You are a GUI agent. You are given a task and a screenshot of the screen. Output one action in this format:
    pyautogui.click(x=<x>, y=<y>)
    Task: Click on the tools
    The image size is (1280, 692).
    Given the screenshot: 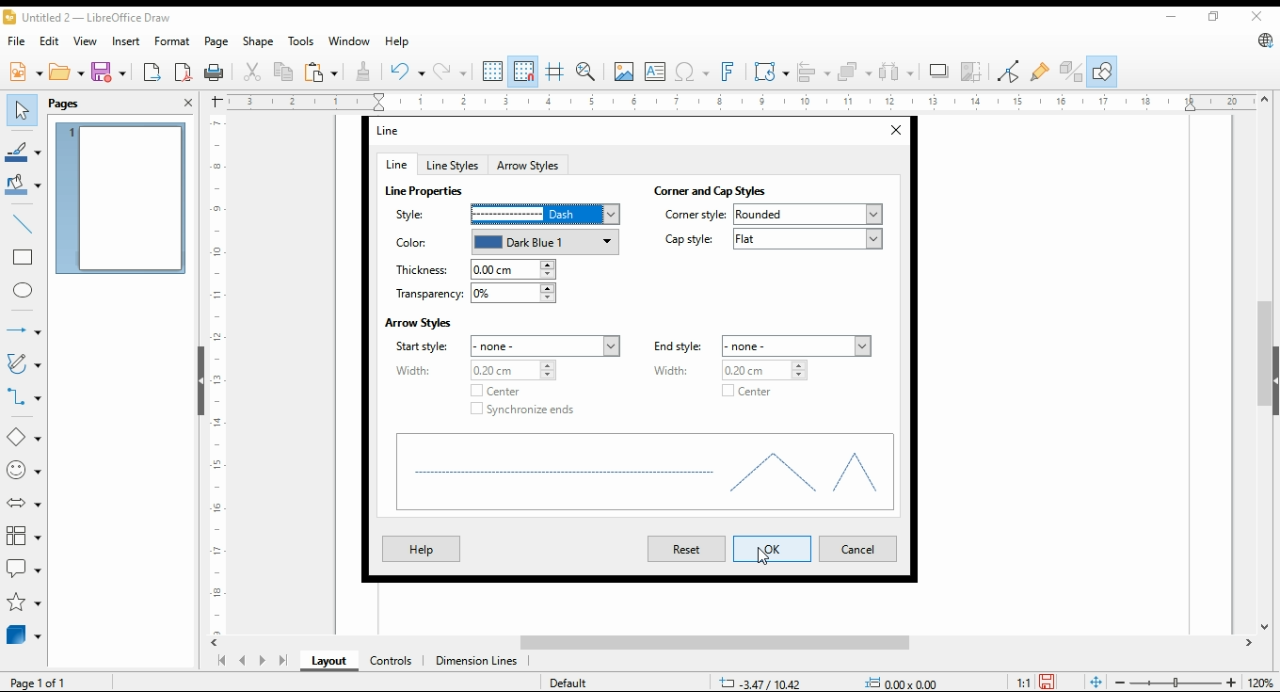 What is the action you would take?
    pyautogui.click(x=300, y=41)
    